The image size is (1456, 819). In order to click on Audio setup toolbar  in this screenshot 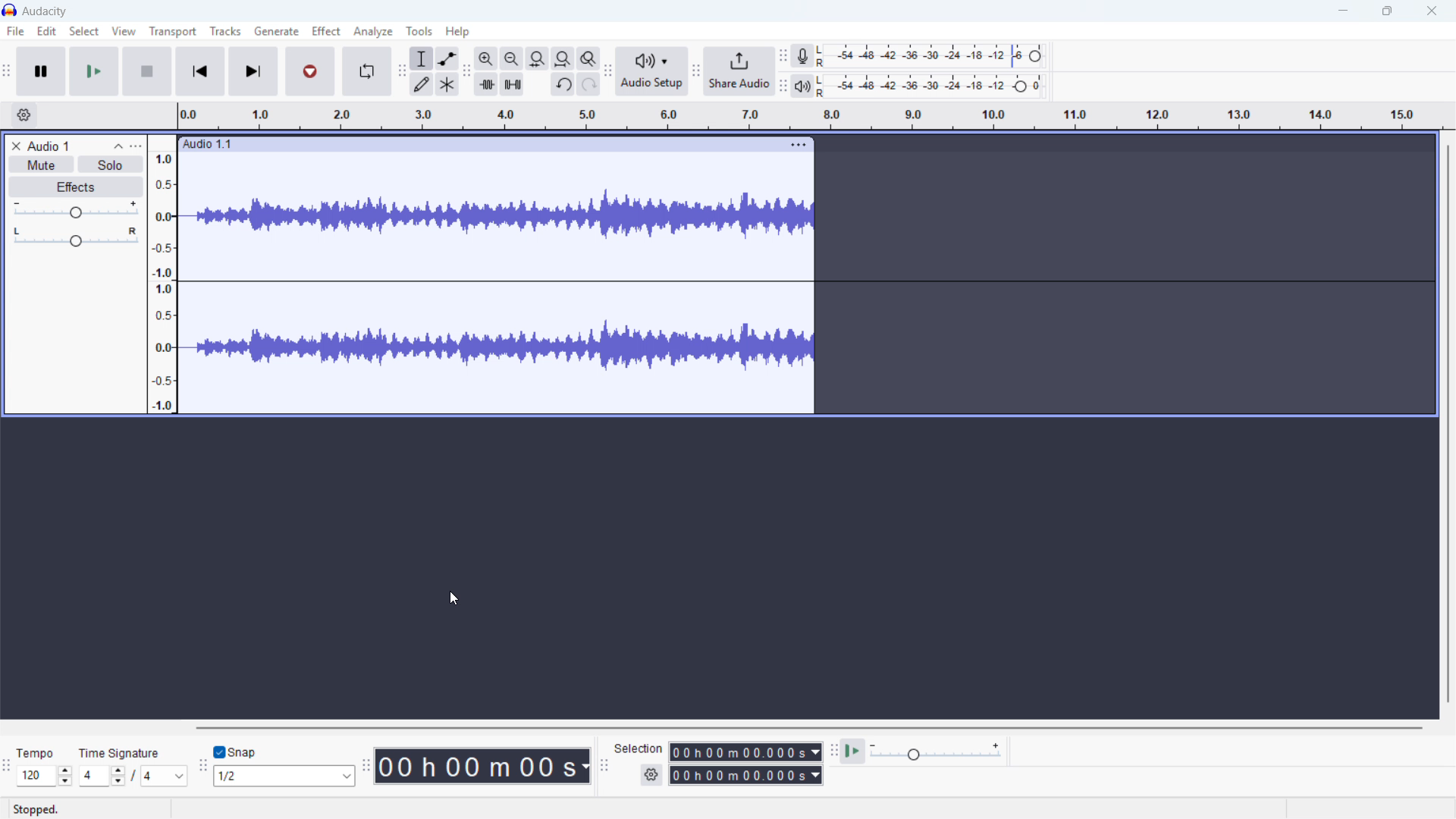, I will do `click(607, 73)`.